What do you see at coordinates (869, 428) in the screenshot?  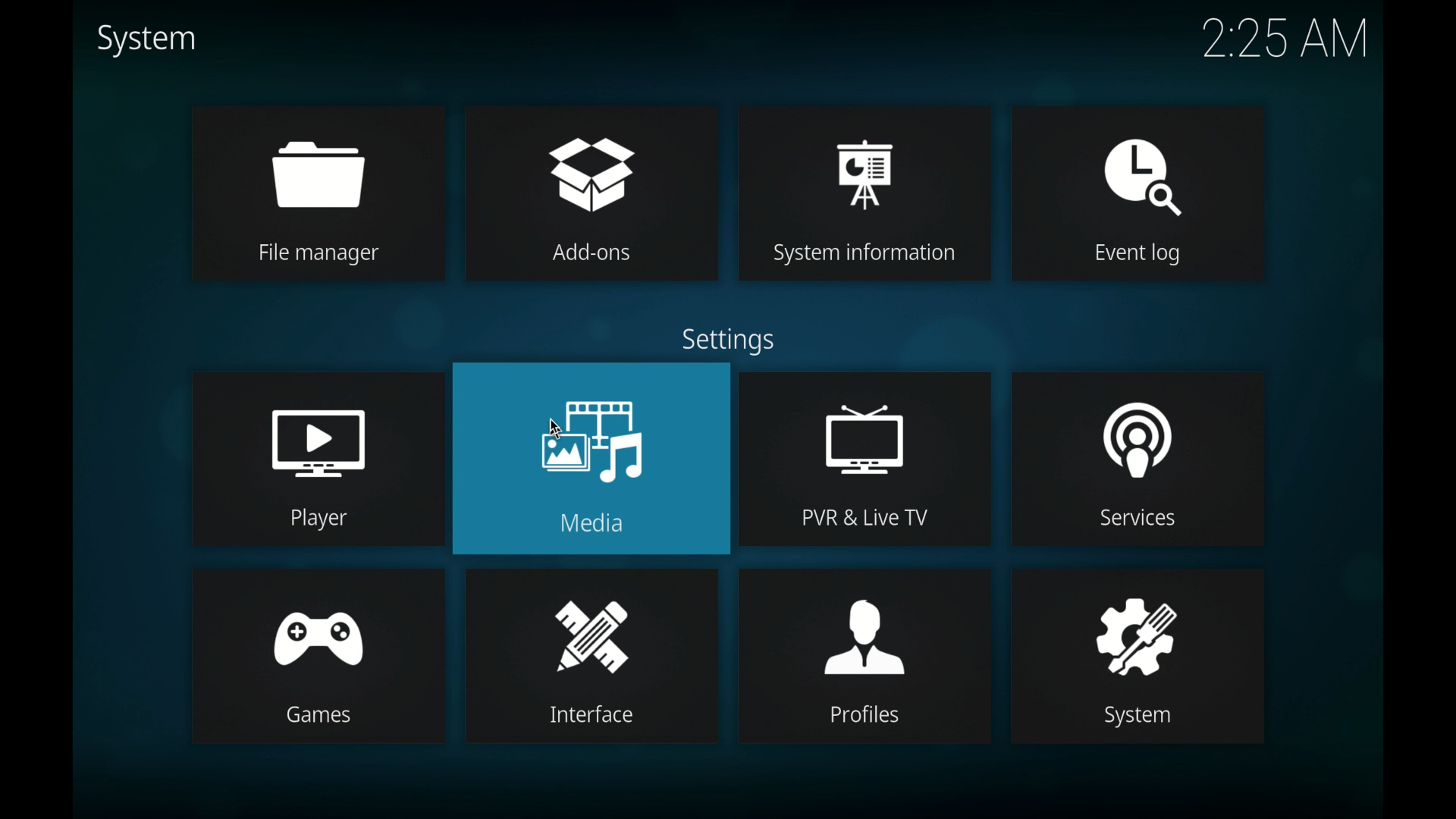 I see `pvr and live tv` at bounding box center [869, 428].